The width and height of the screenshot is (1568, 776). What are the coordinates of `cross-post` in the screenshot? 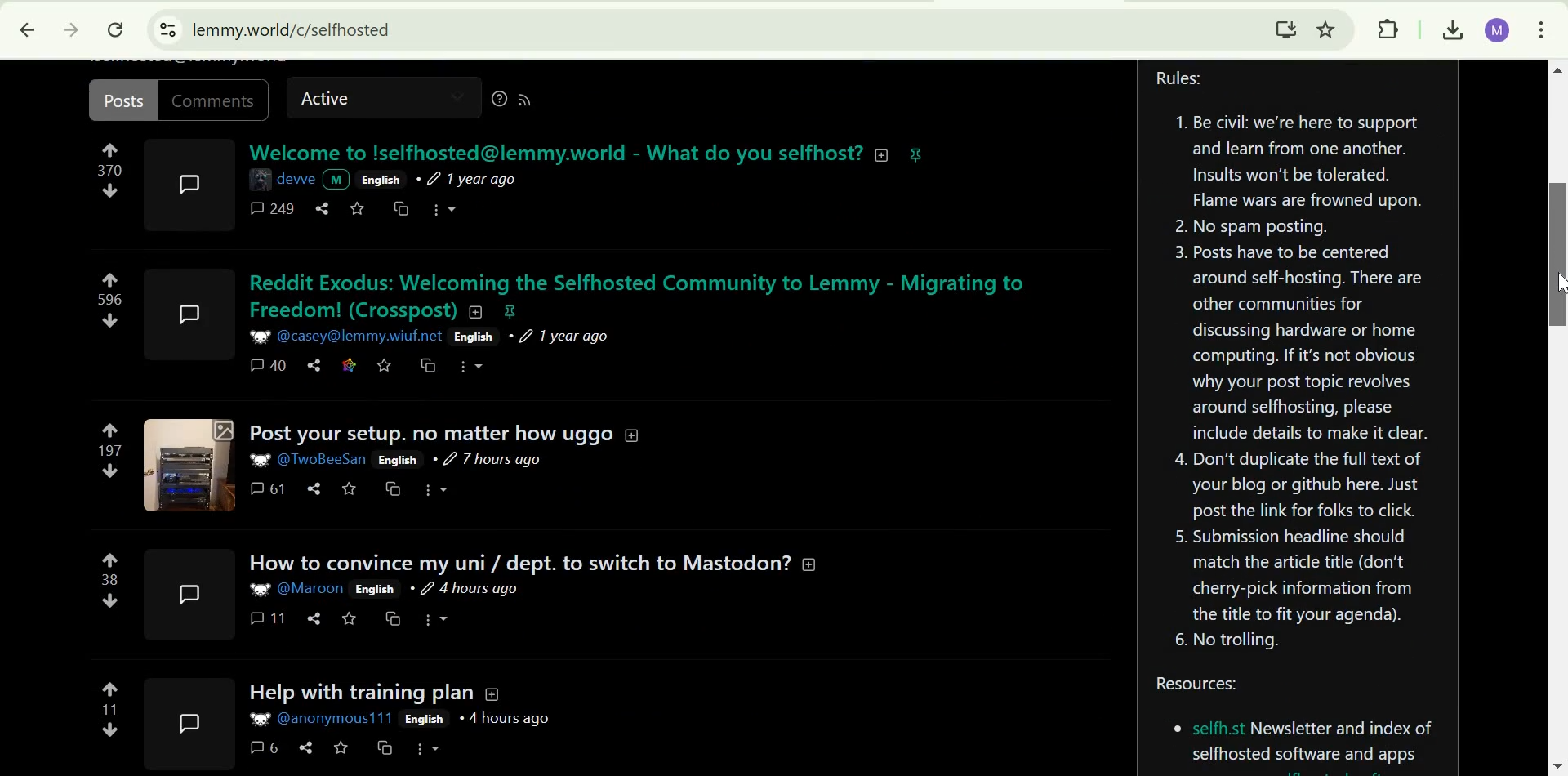 It's located at (397, 489).